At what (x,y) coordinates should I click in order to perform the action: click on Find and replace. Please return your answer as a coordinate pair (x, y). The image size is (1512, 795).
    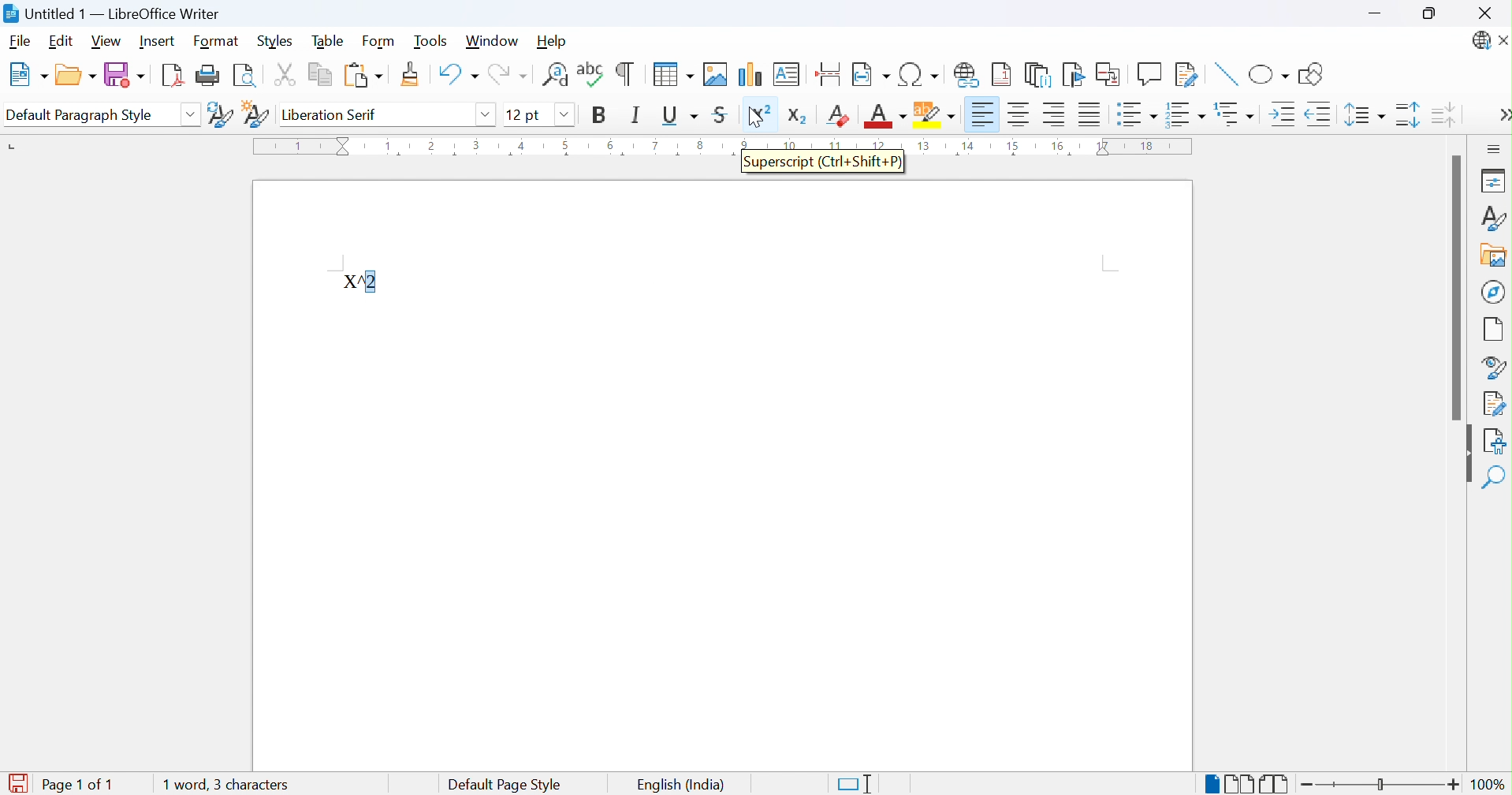
    Looking at the image, I should click on (556, 73).